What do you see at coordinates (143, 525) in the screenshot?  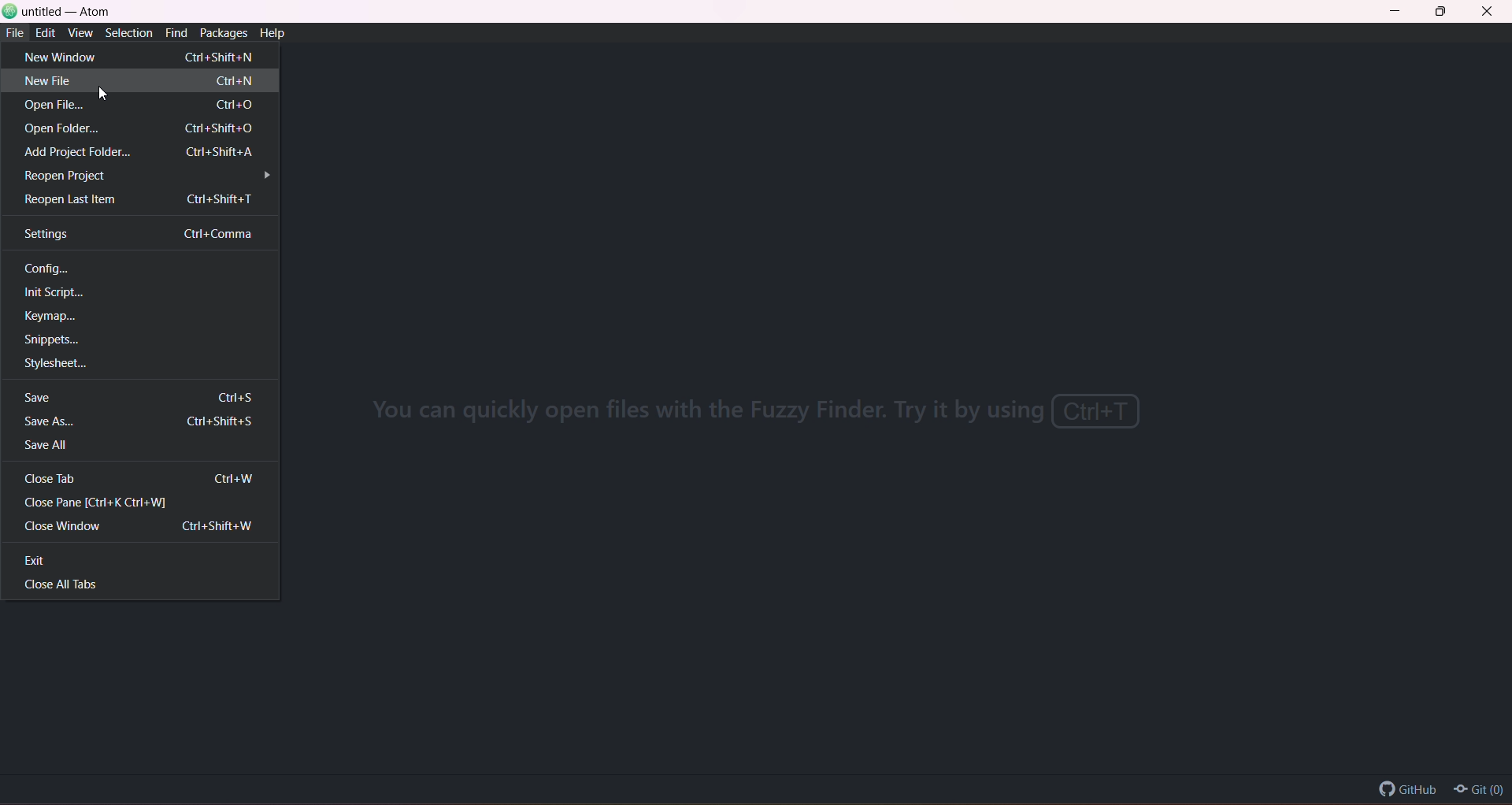 I see `Close Window Ctrl+Shift+W` at bounding box center [143, 525].